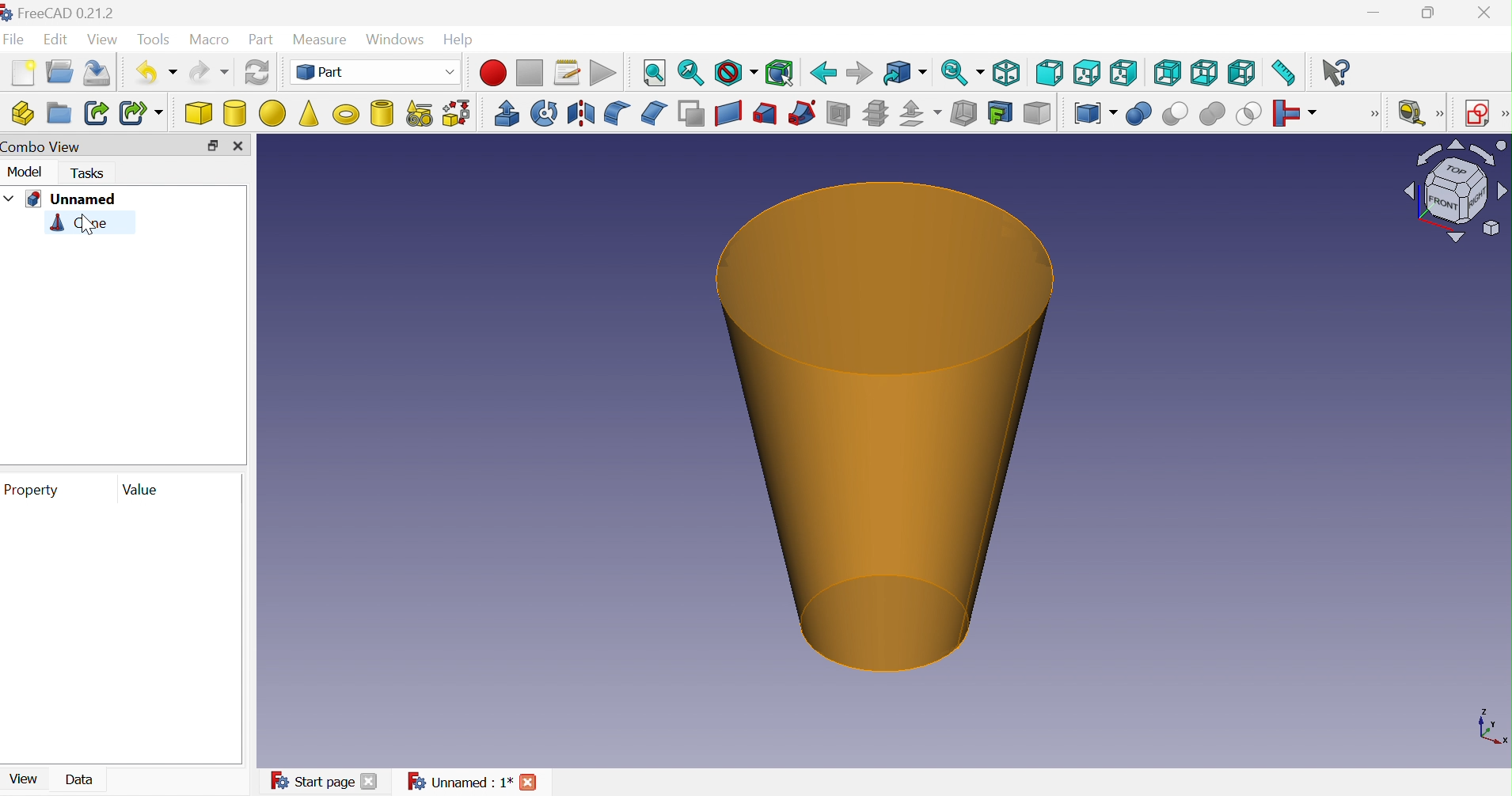  What do you see at coordinates (91, 236) in the screenshot?
I see `Pointer` at bounding box center [91, 236].